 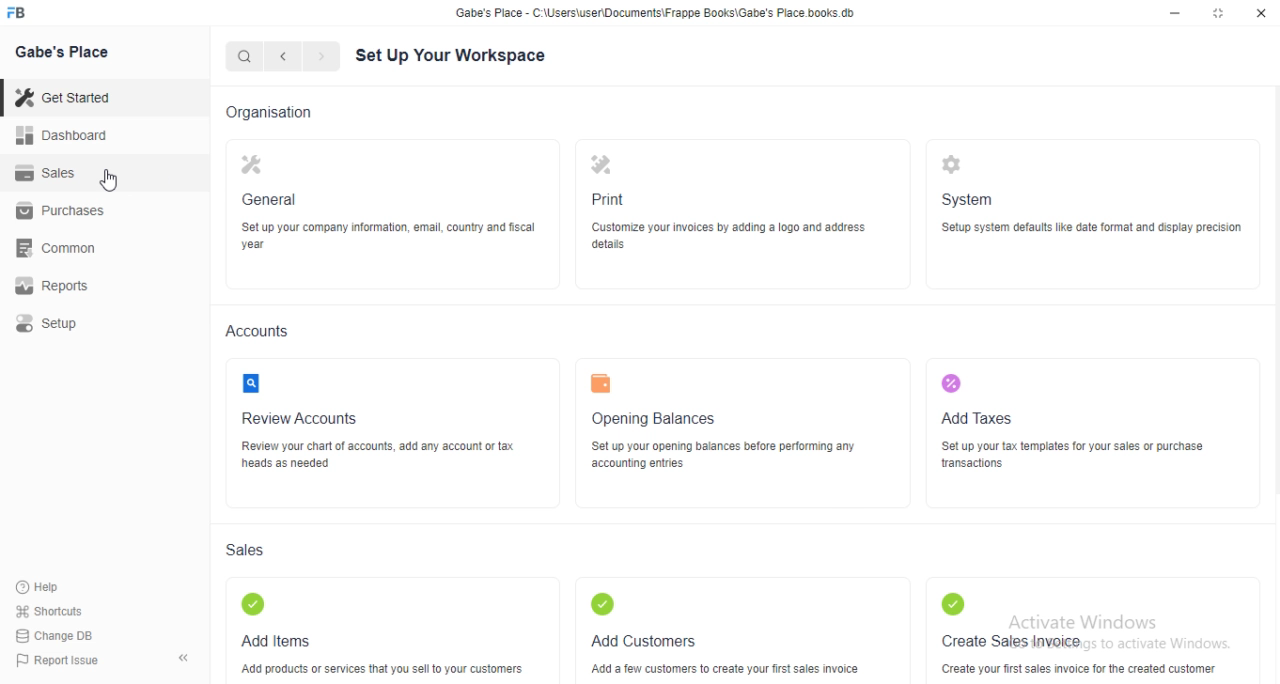 I want to click on Create your first sales invoice for the created customer, so click(x=1079, y=669).